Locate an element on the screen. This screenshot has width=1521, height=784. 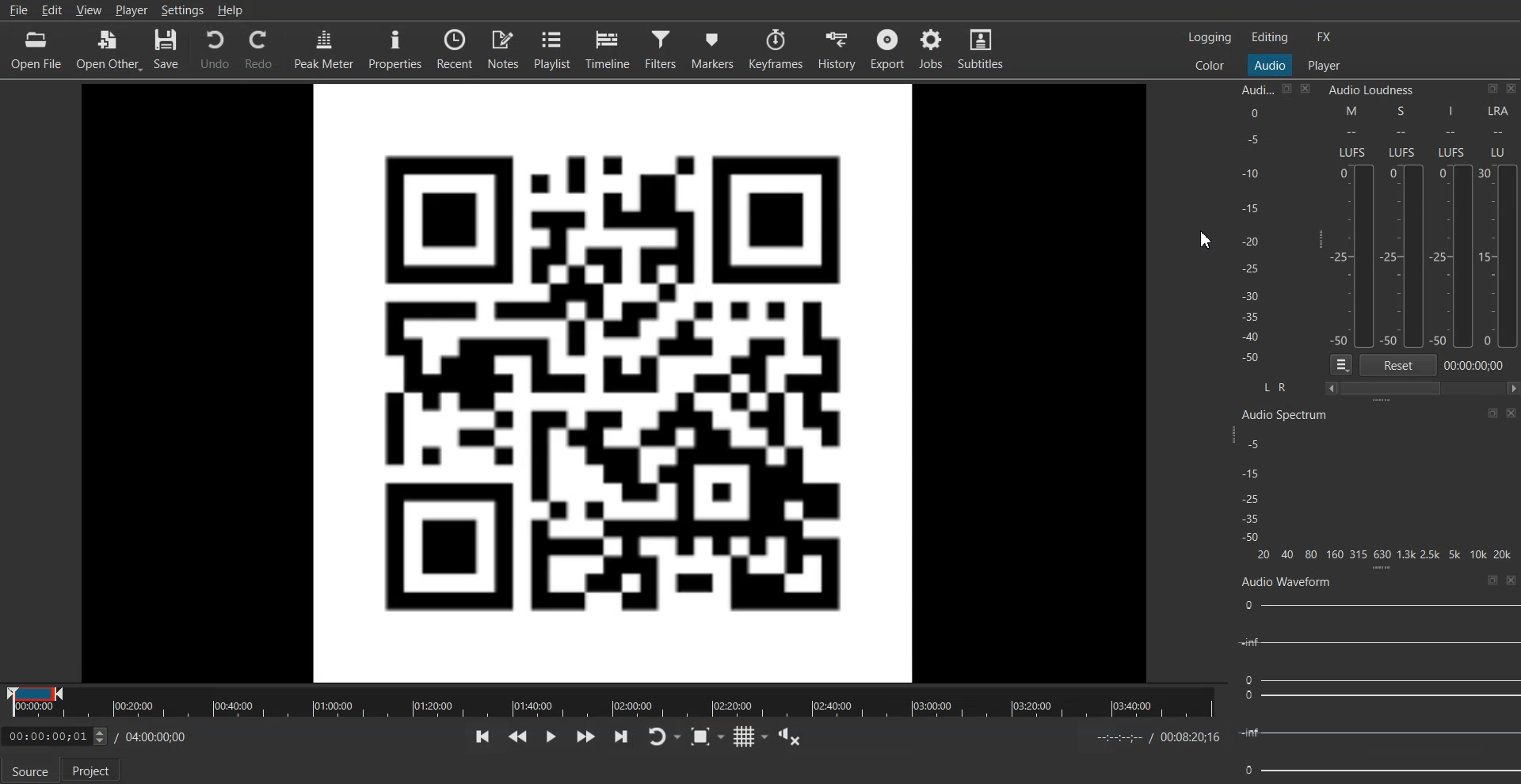
Audio Waveform is located at coordinates (1287, 582).